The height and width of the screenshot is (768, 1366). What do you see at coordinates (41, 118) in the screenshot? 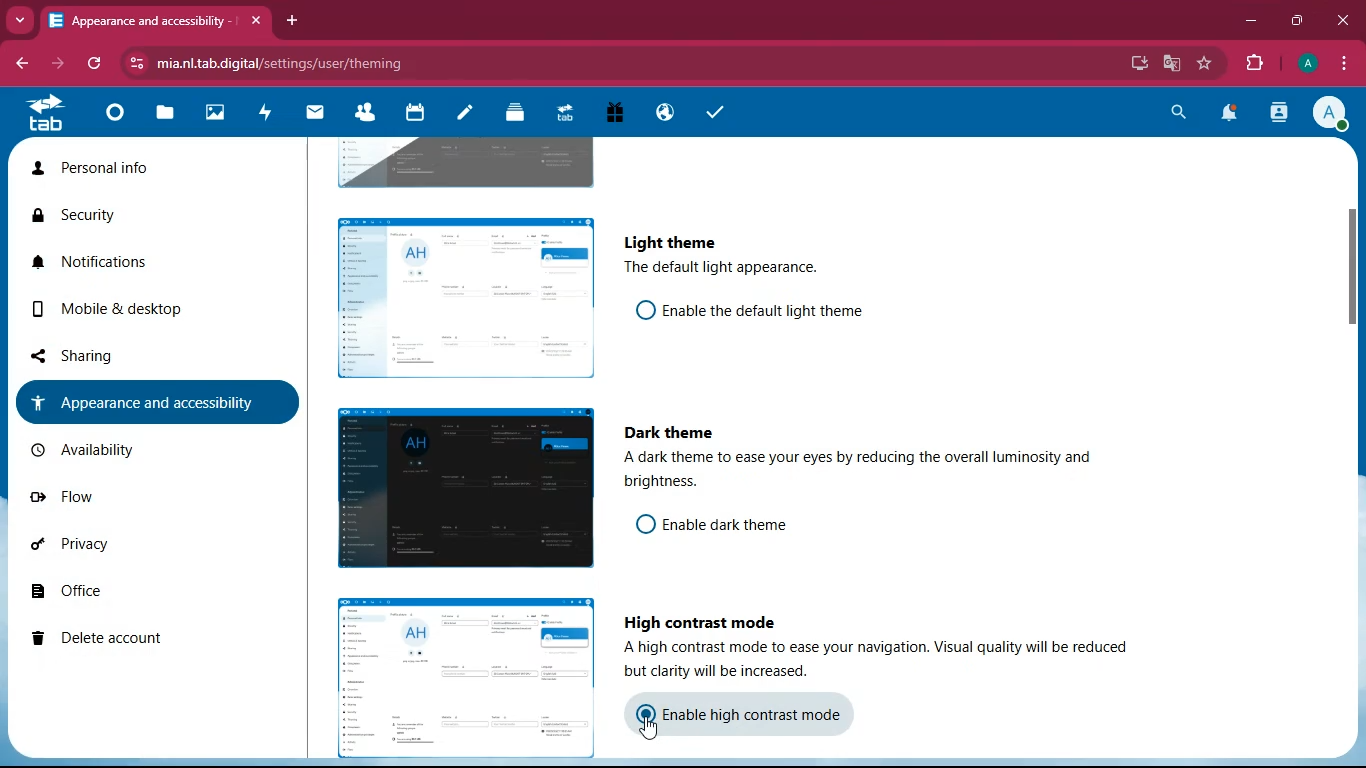
I see `tab` at bounding box center [41, 118].